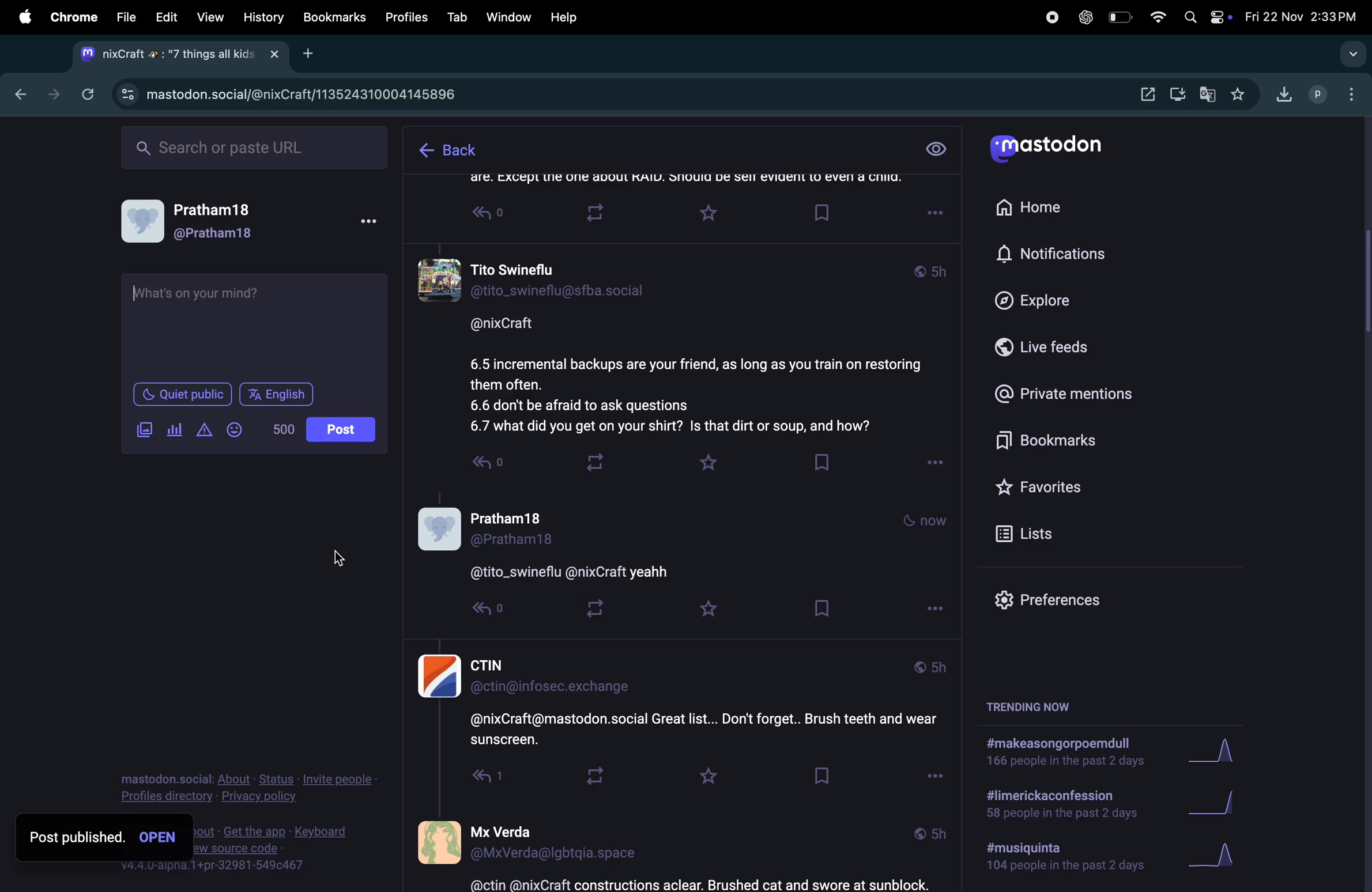  What do you see at coordinates (1083, 17) in the screenshot?
I see `chatgpt` at bounding box center [1083, 17].